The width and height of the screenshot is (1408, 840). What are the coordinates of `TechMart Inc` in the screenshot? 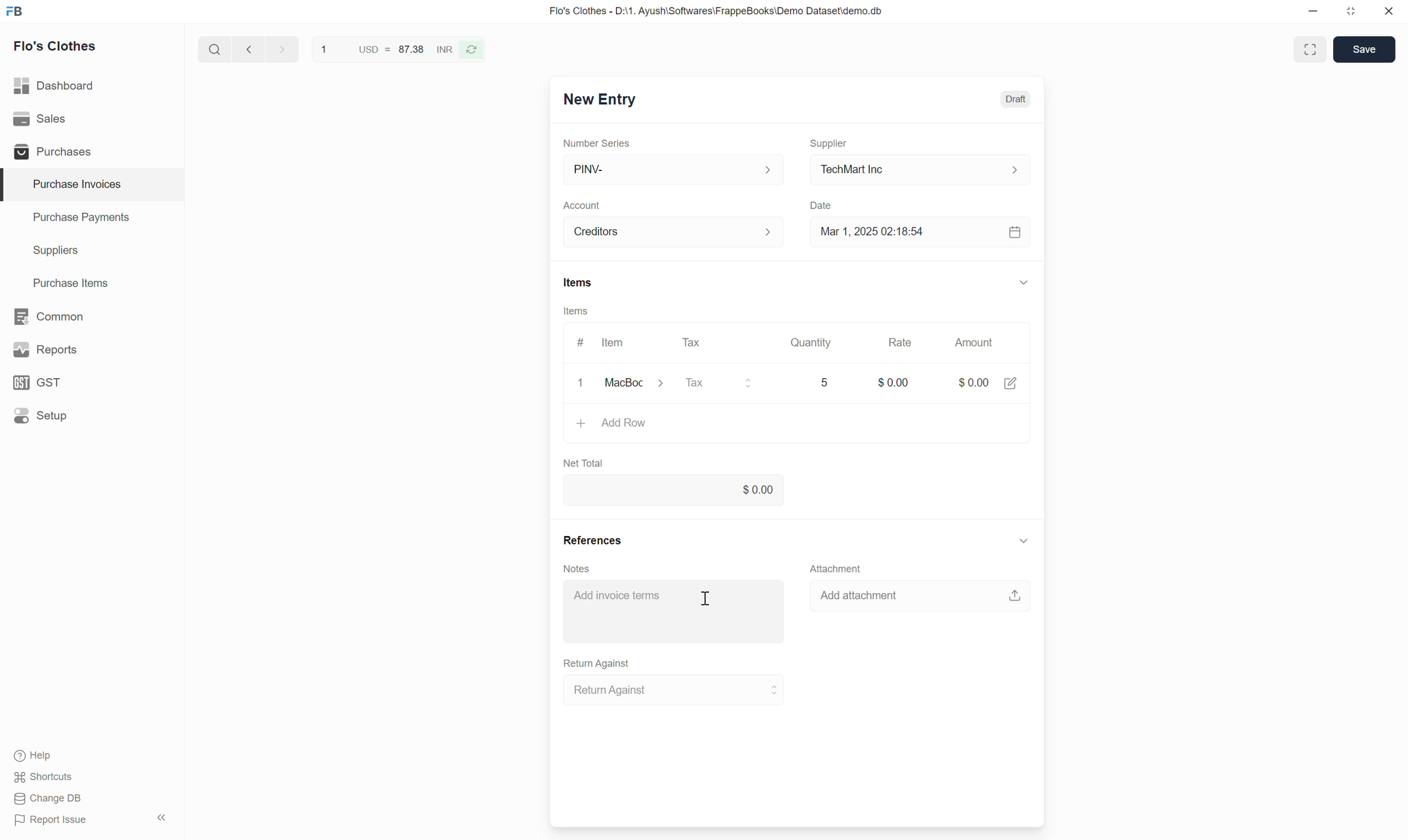 It's located at (921, 170).